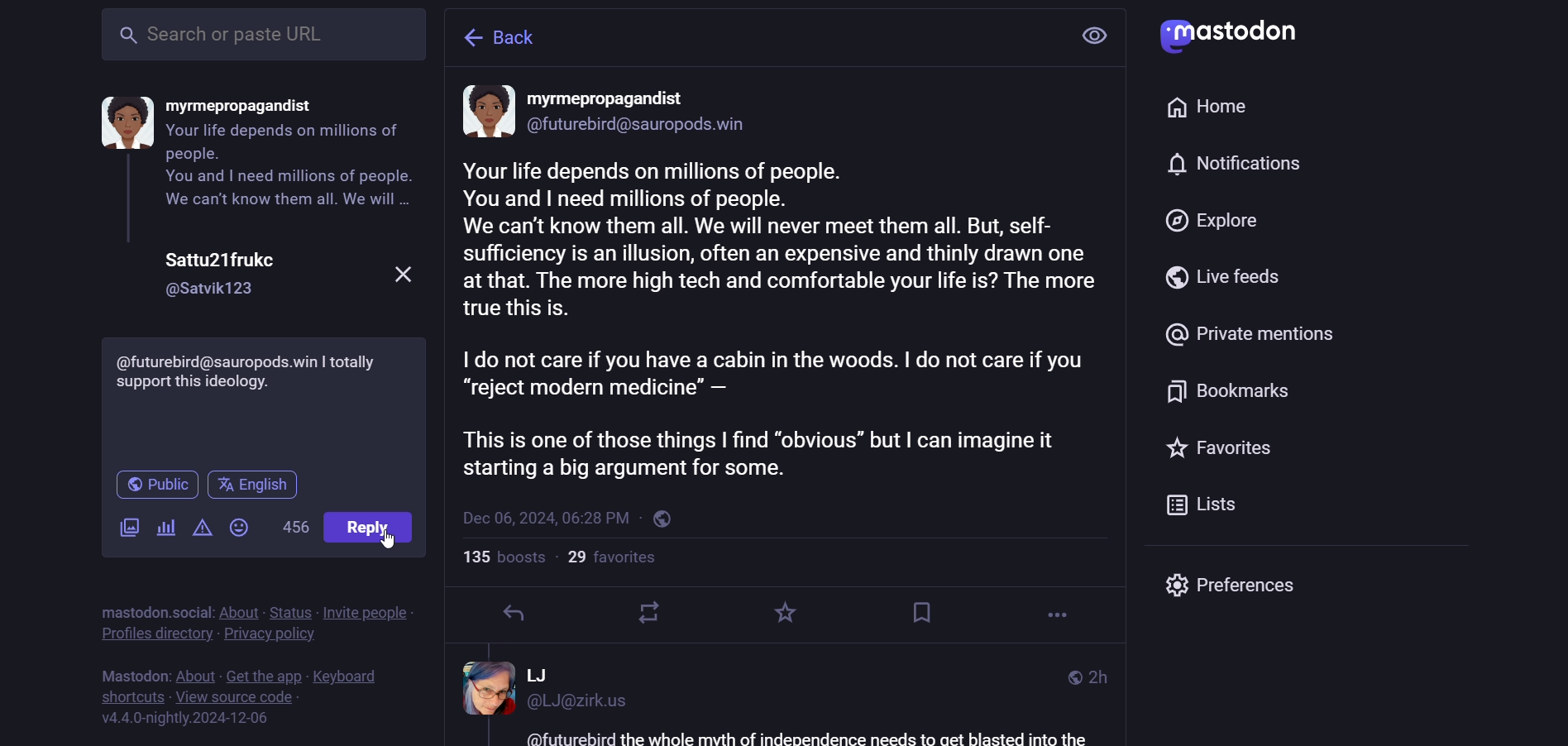 This screenshot has height=746, width=1568. What do you see at coordinates (1230, 390) in the screenshot?
I see `bookmark` at bounding box center [1230, 390].